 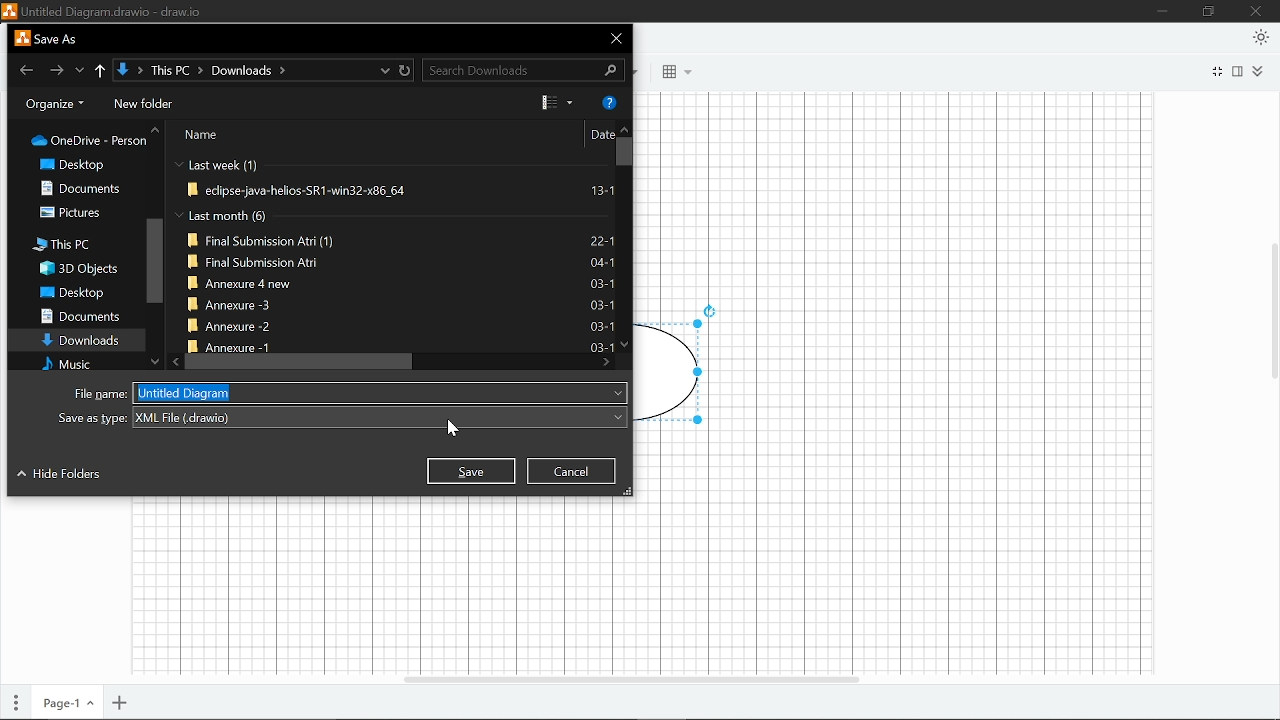 I want to click on Full screen, so click(x=1216, y=71).